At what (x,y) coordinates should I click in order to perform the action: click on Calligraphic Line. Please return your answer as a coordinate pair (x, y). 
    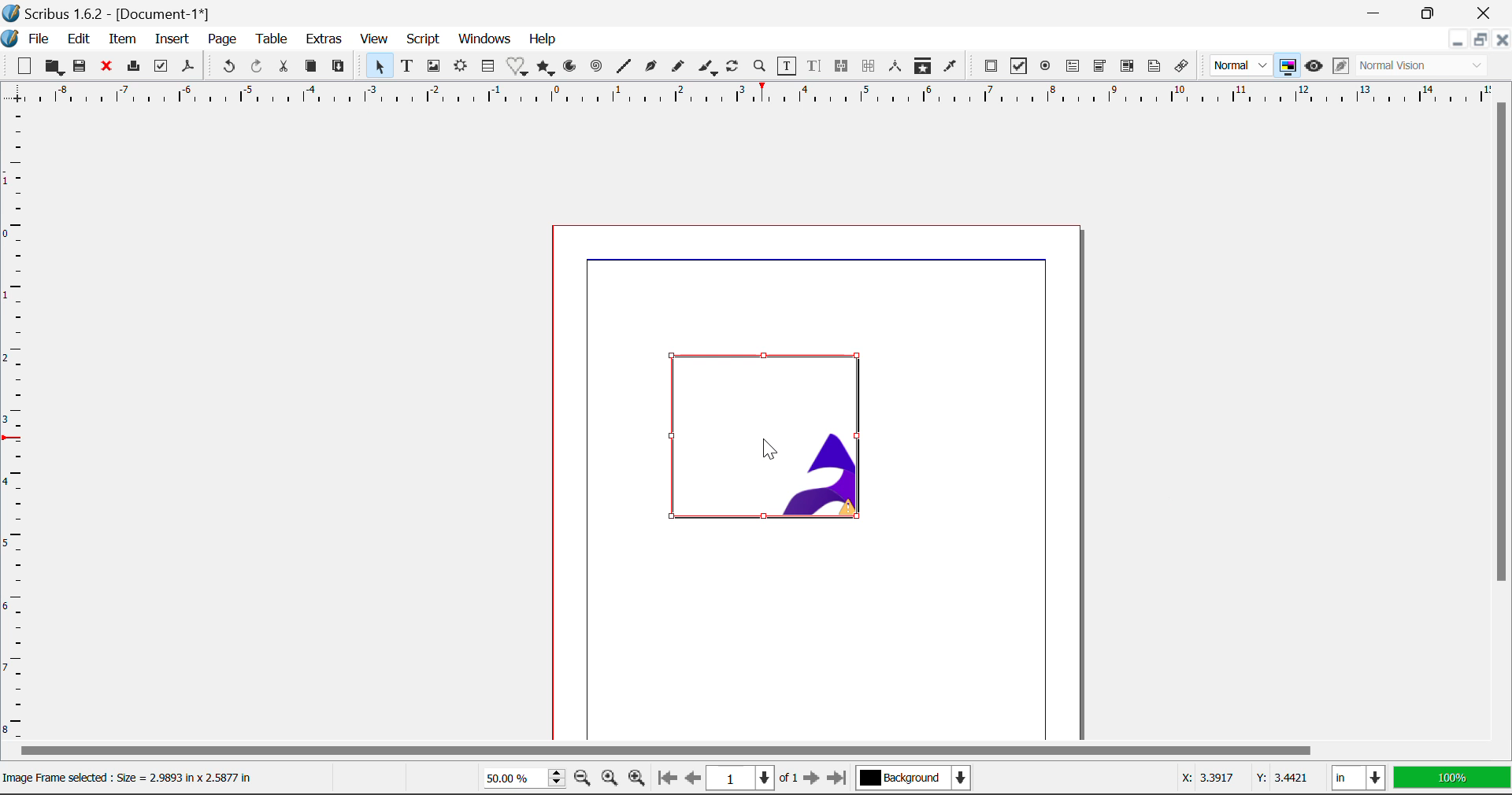
    Looking at the image, I should click on (710, 68).